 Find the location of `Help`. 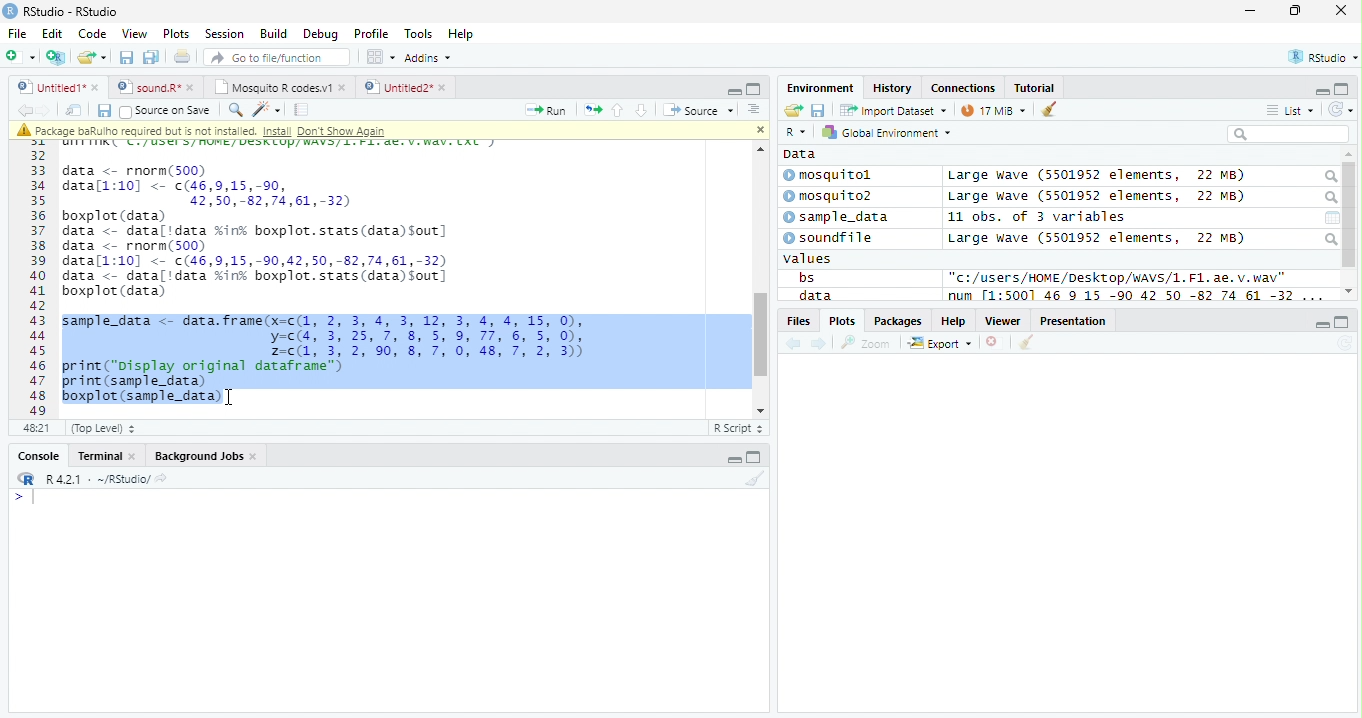

Help is located at coordinates (463, 34).